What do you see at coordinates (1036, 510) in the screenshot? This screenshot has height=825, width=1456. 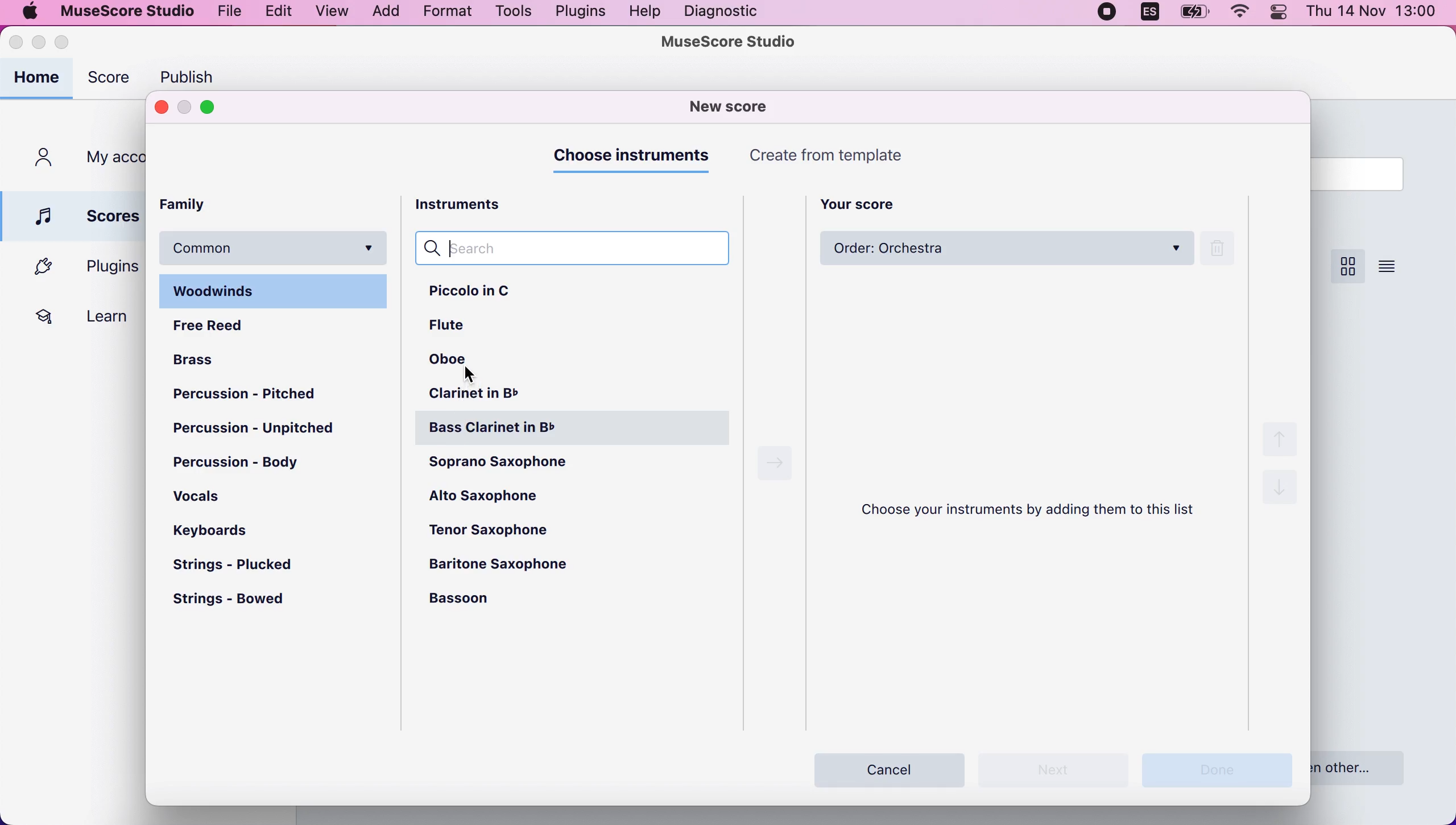 I see `choose your instruments by adding them to the list` at bounding box center [1036, 510].